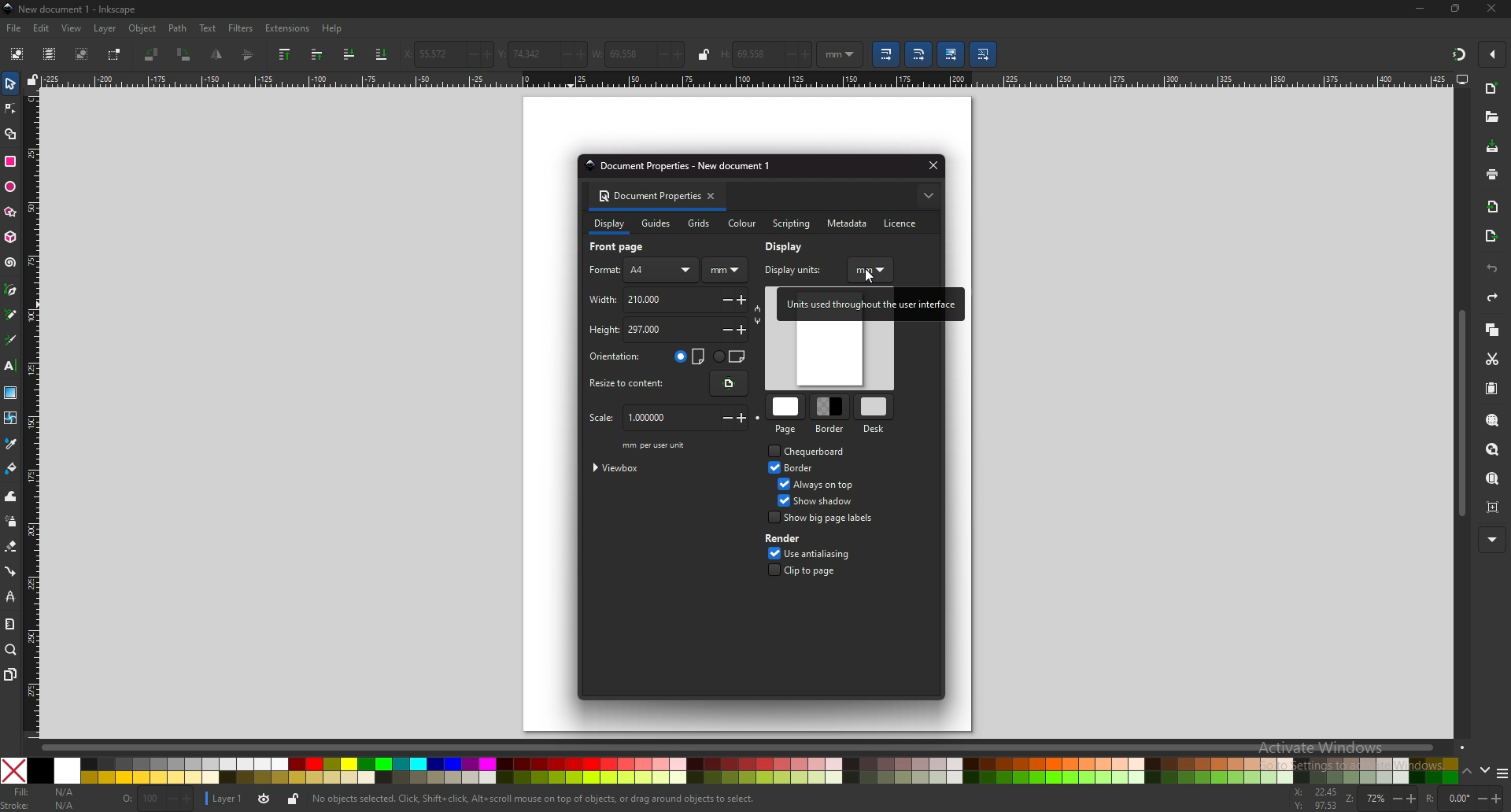  I want to click on move patterns, so click(985, 54).